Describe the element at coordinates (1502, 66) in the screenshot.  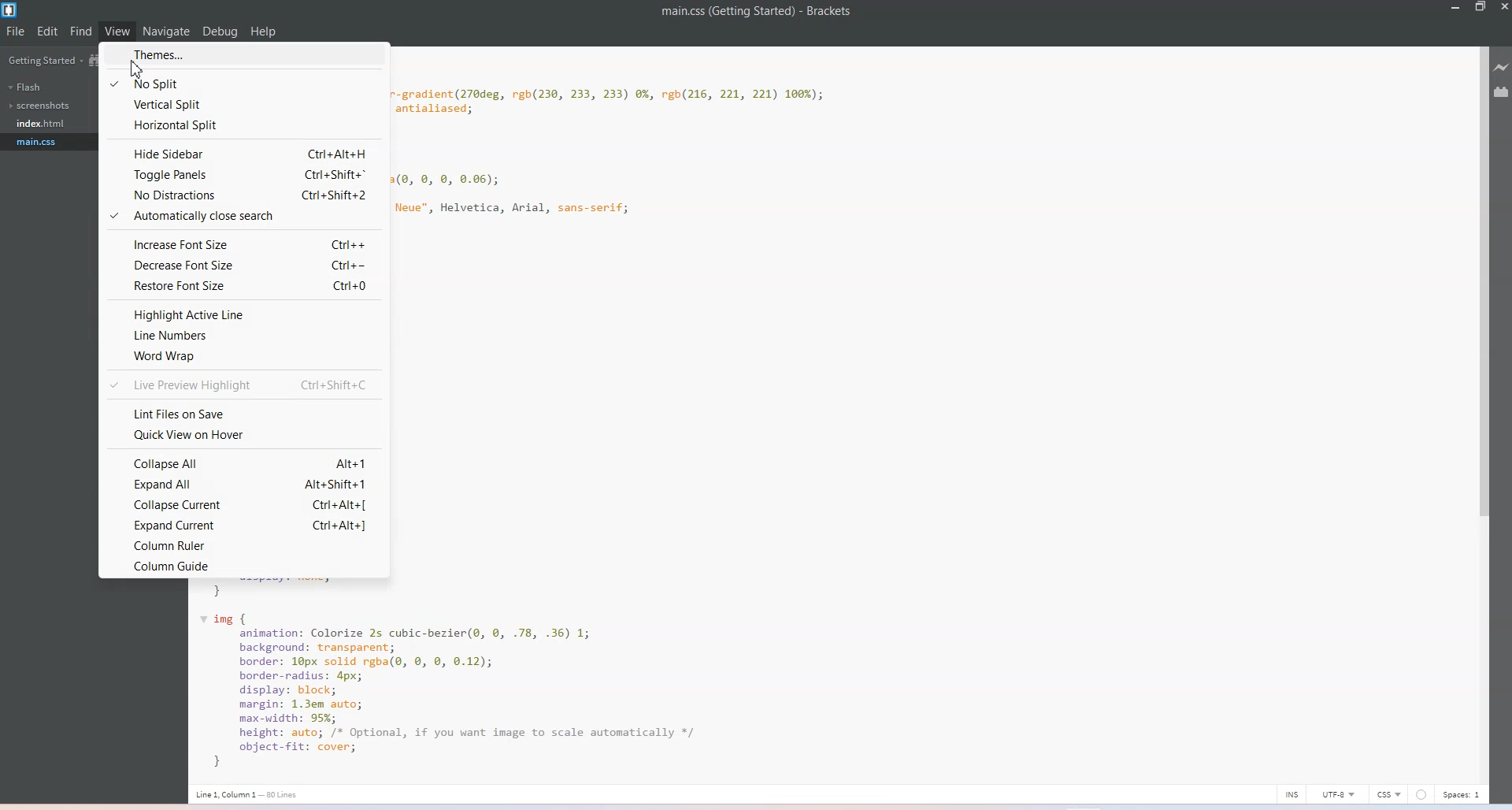
I see `Live Preview` at that location.